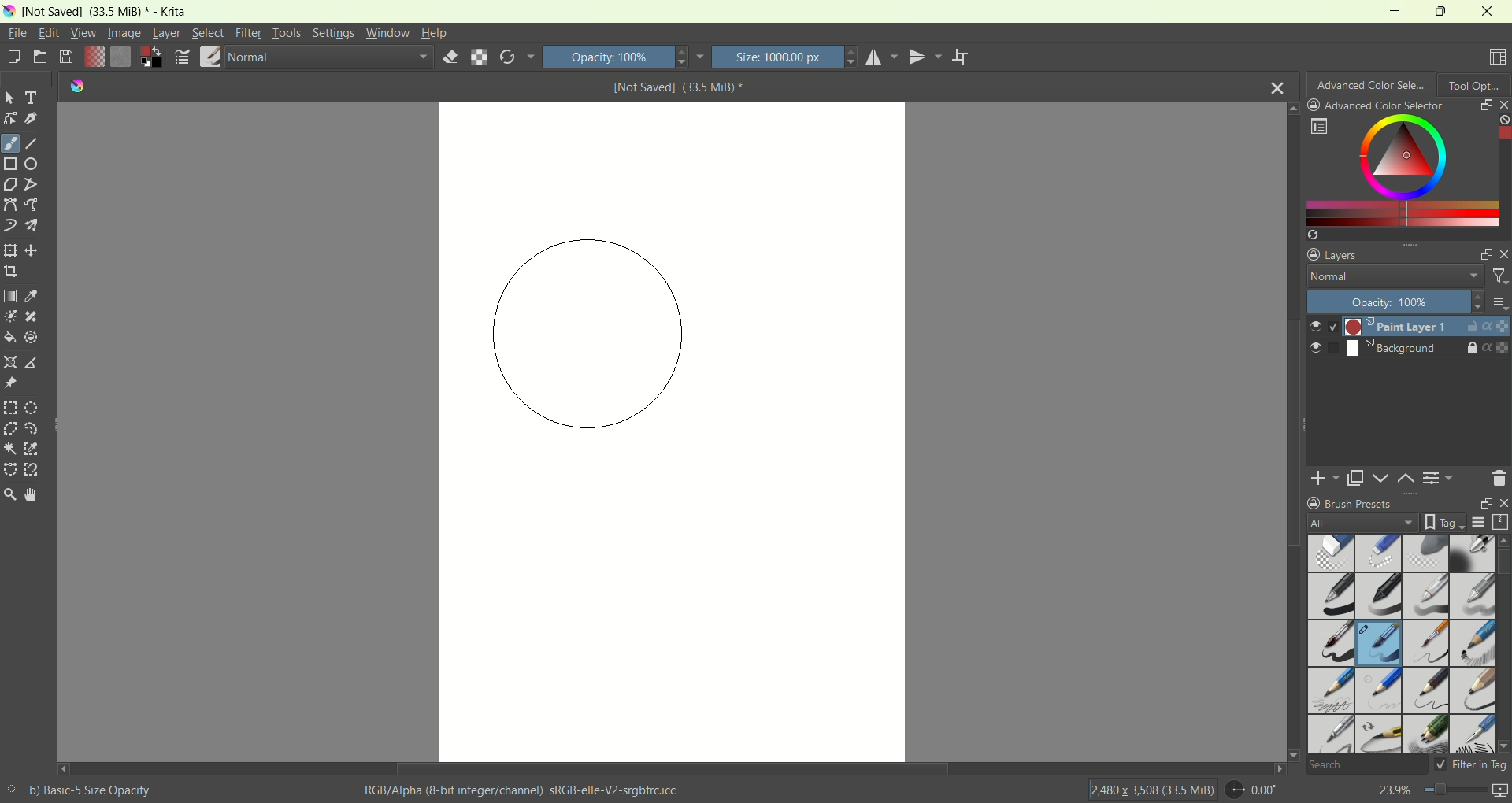  Describe the element at coordinates (36, 428) in the screenshot. I see `free hand selection` at that location.